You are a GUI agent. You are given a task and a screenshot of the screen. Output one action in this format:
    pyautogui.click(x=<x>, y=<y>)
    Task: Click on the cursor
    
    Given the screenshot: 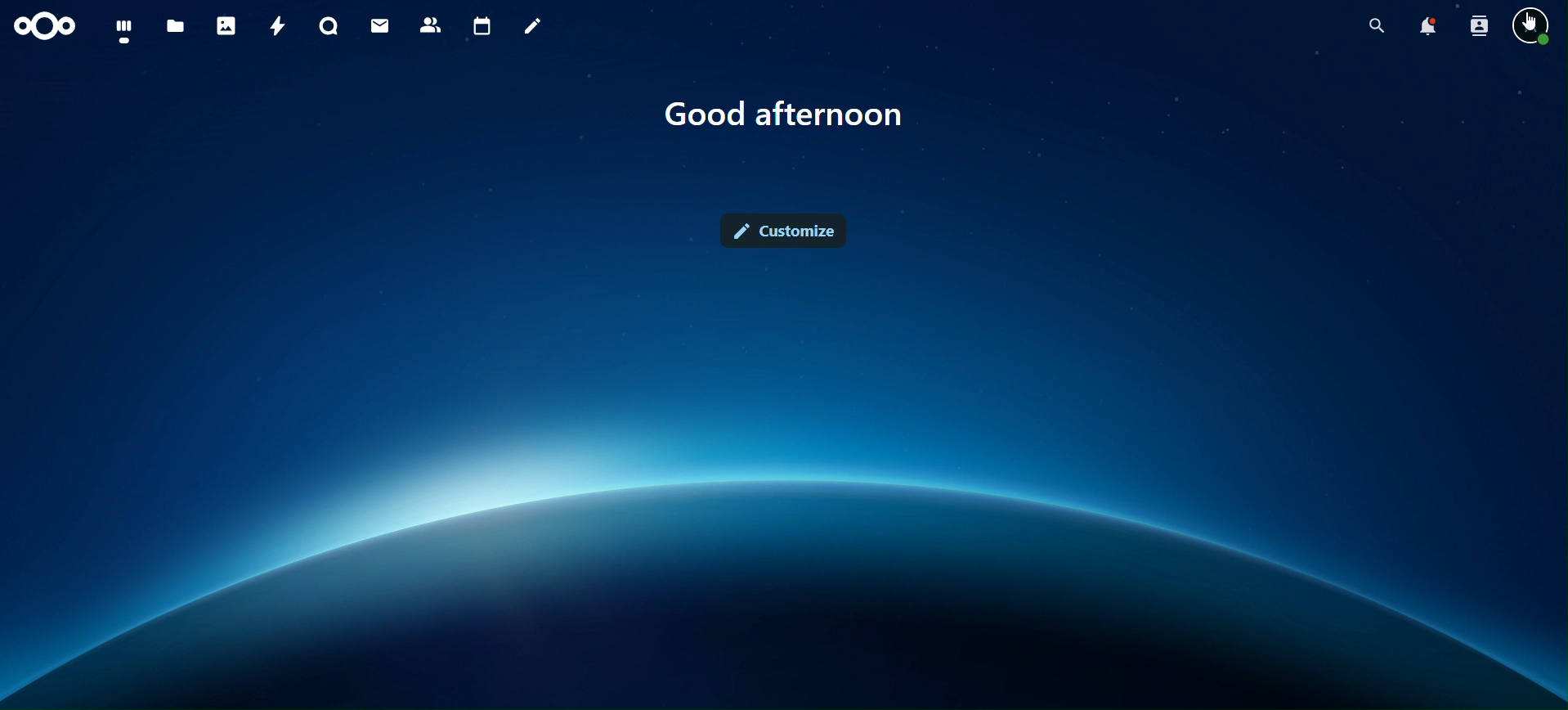 What is the action you would take?
    pyautogui.click(x=1530, y=25)
    